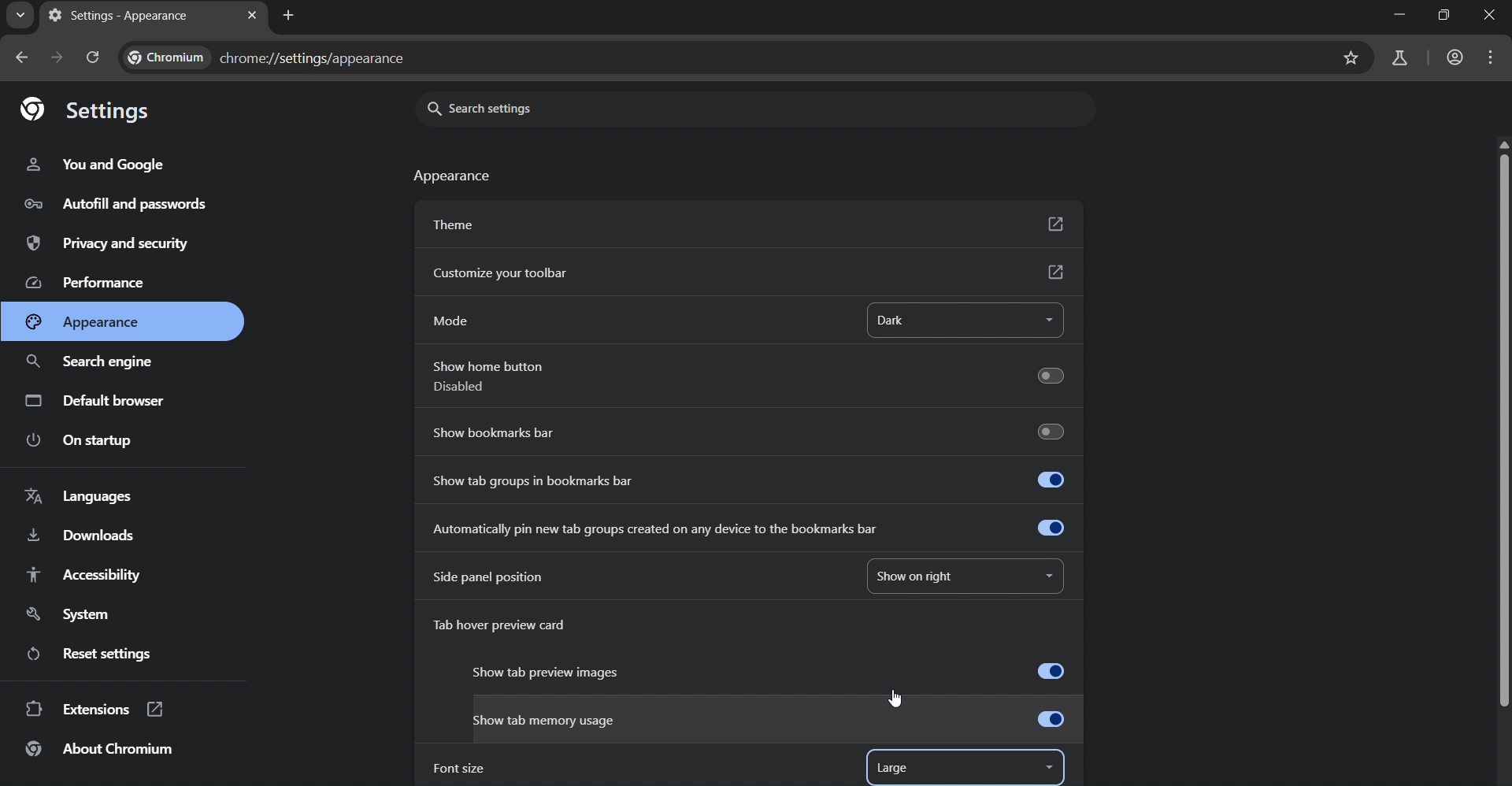  I want to click on show bookmarks bar, so click(751, 431).